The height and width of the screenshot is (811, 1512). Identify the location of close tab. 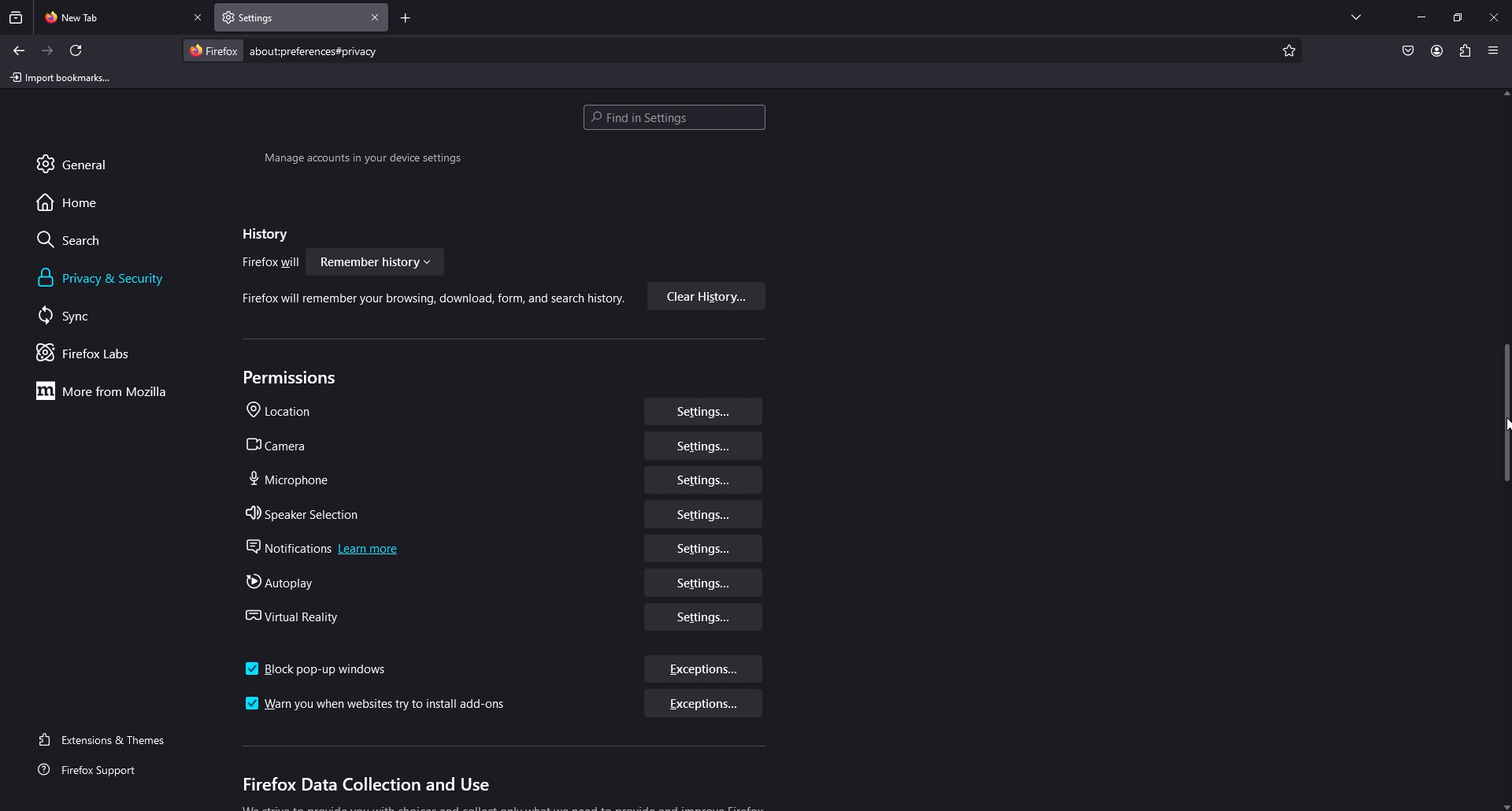
(199, 18).